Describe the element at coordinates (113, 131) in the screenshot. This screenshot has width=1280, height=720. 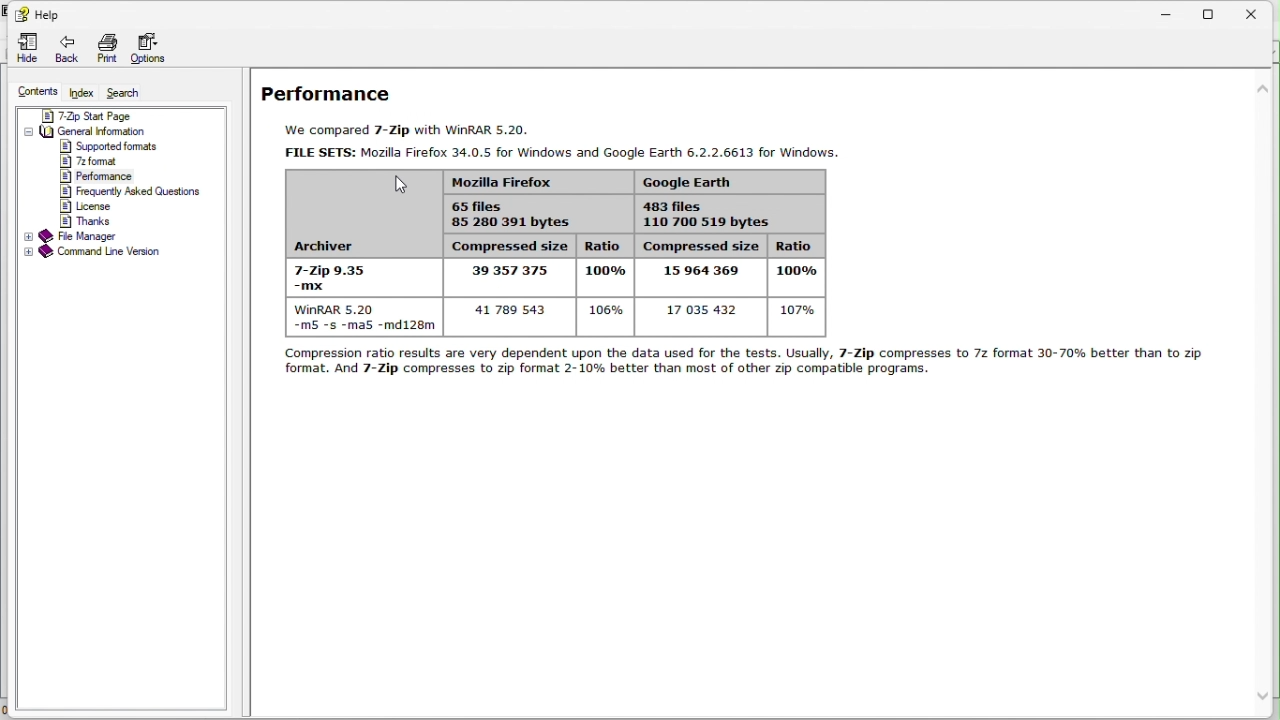
I see `General information supported` at that location.